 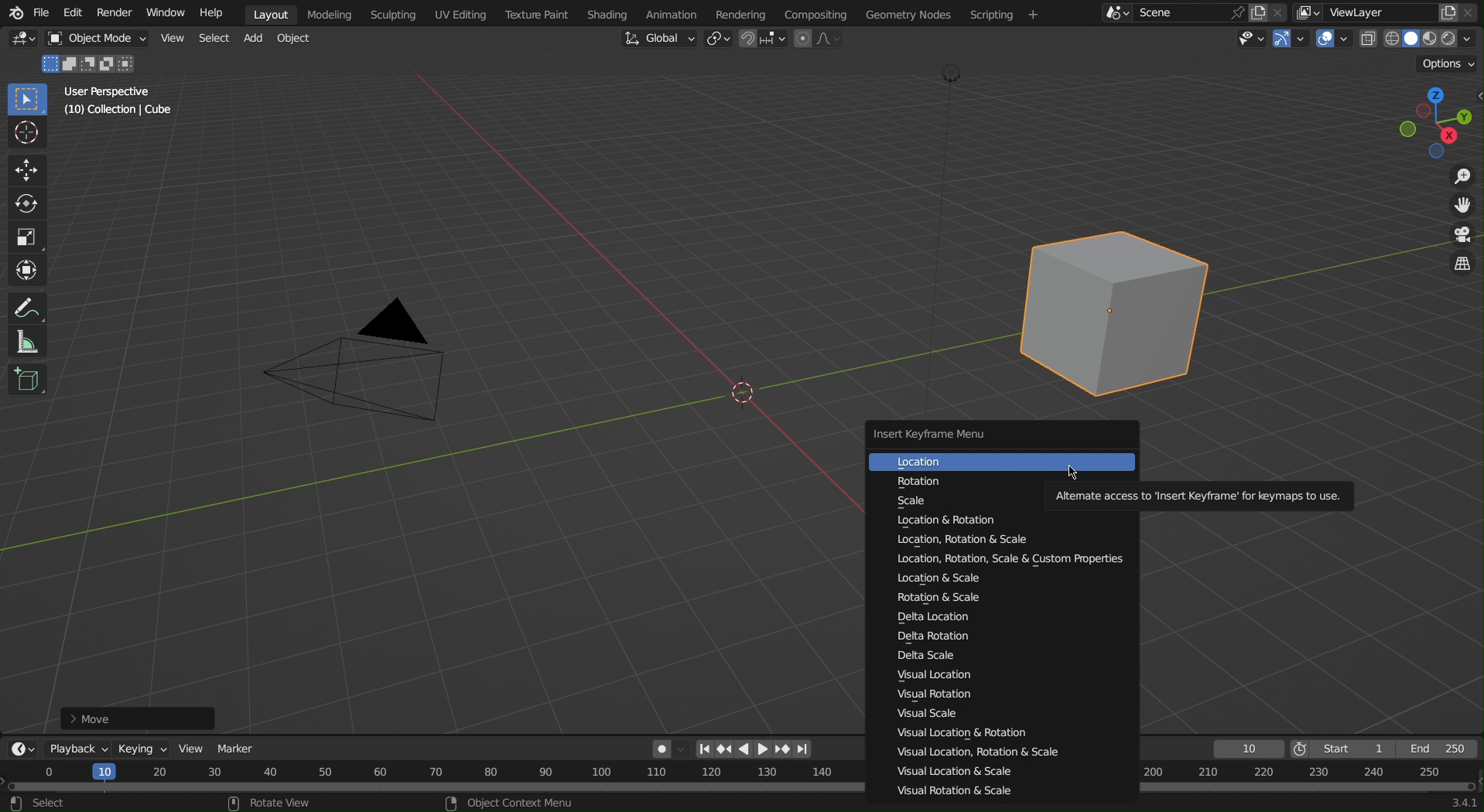 What do you see at coordinates (238, 745) in the screenshot?
I see `Marker` at bounding box center [238, 745].